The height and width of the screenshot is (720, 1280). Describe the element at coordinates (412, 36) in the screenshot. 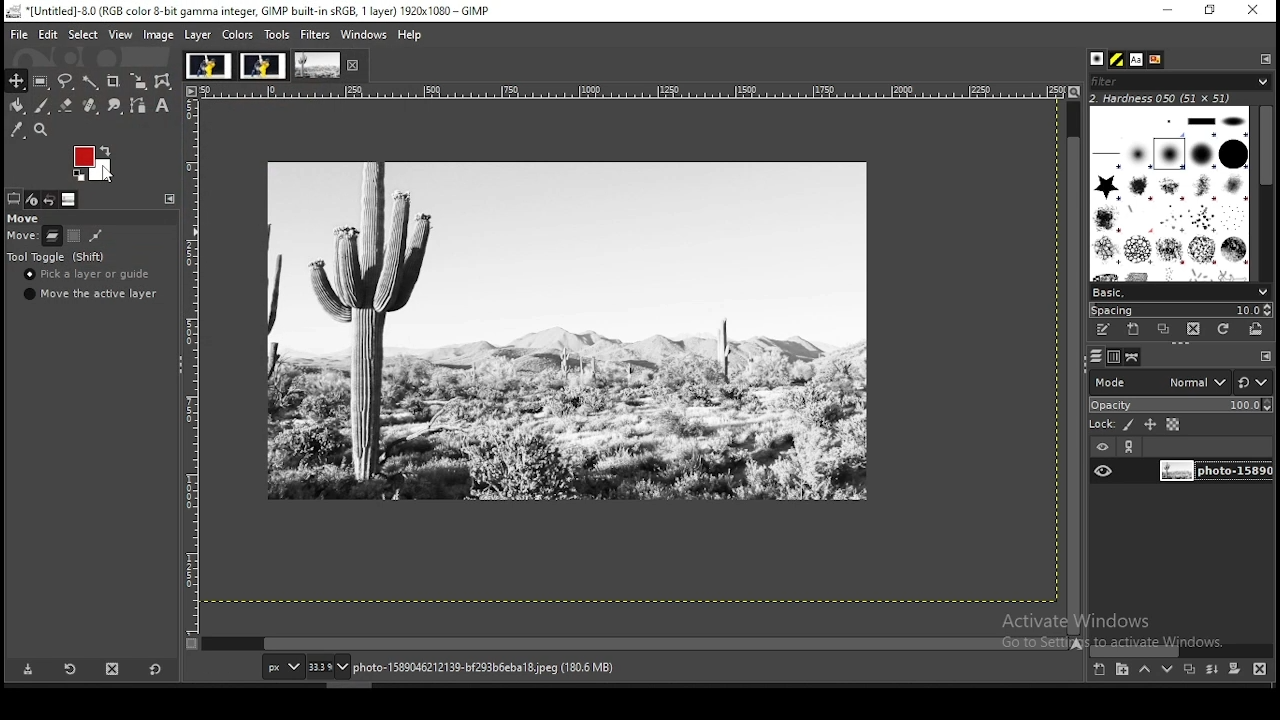

I see `help` at that location.